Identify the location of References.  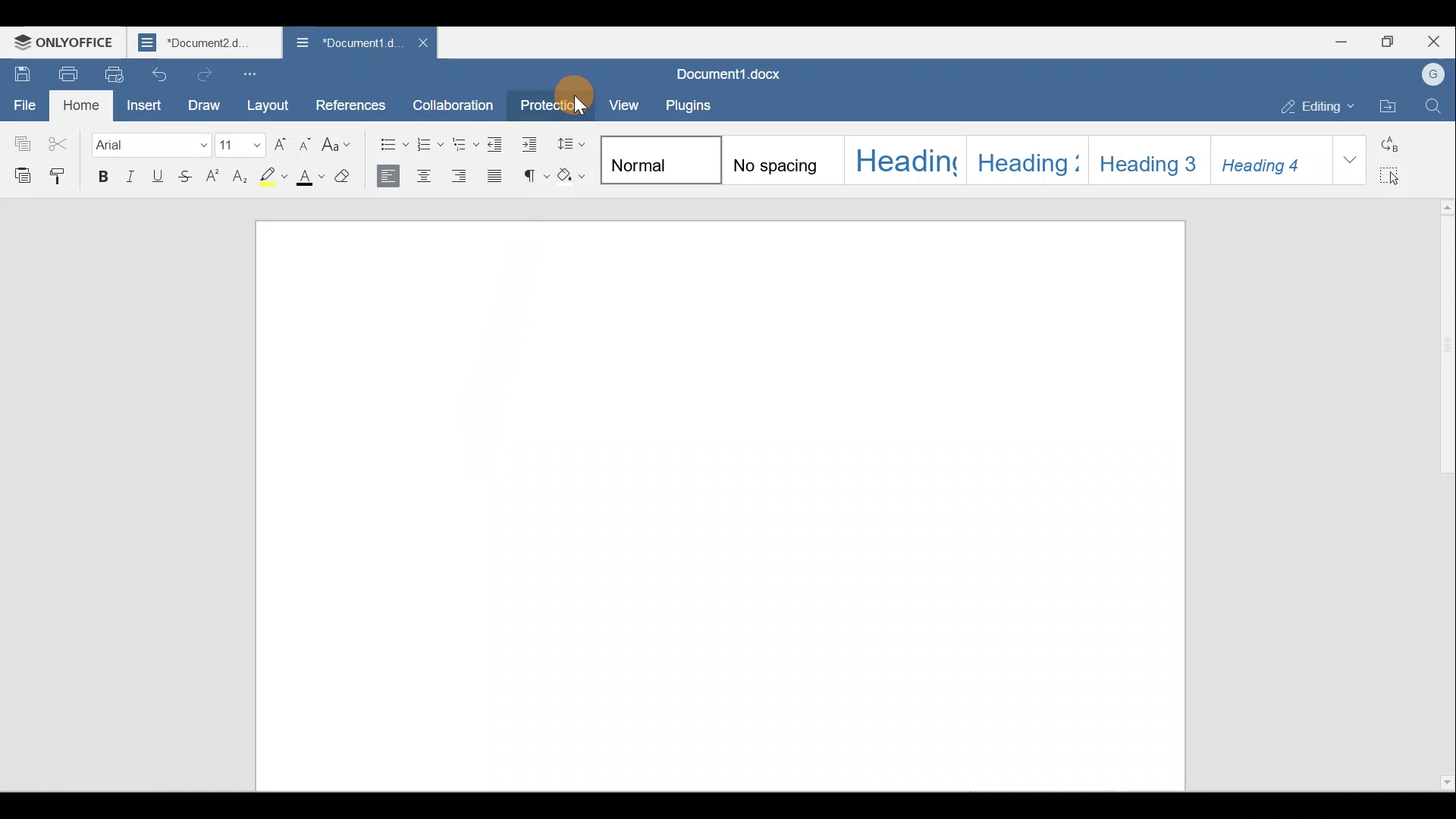
(350, 105).